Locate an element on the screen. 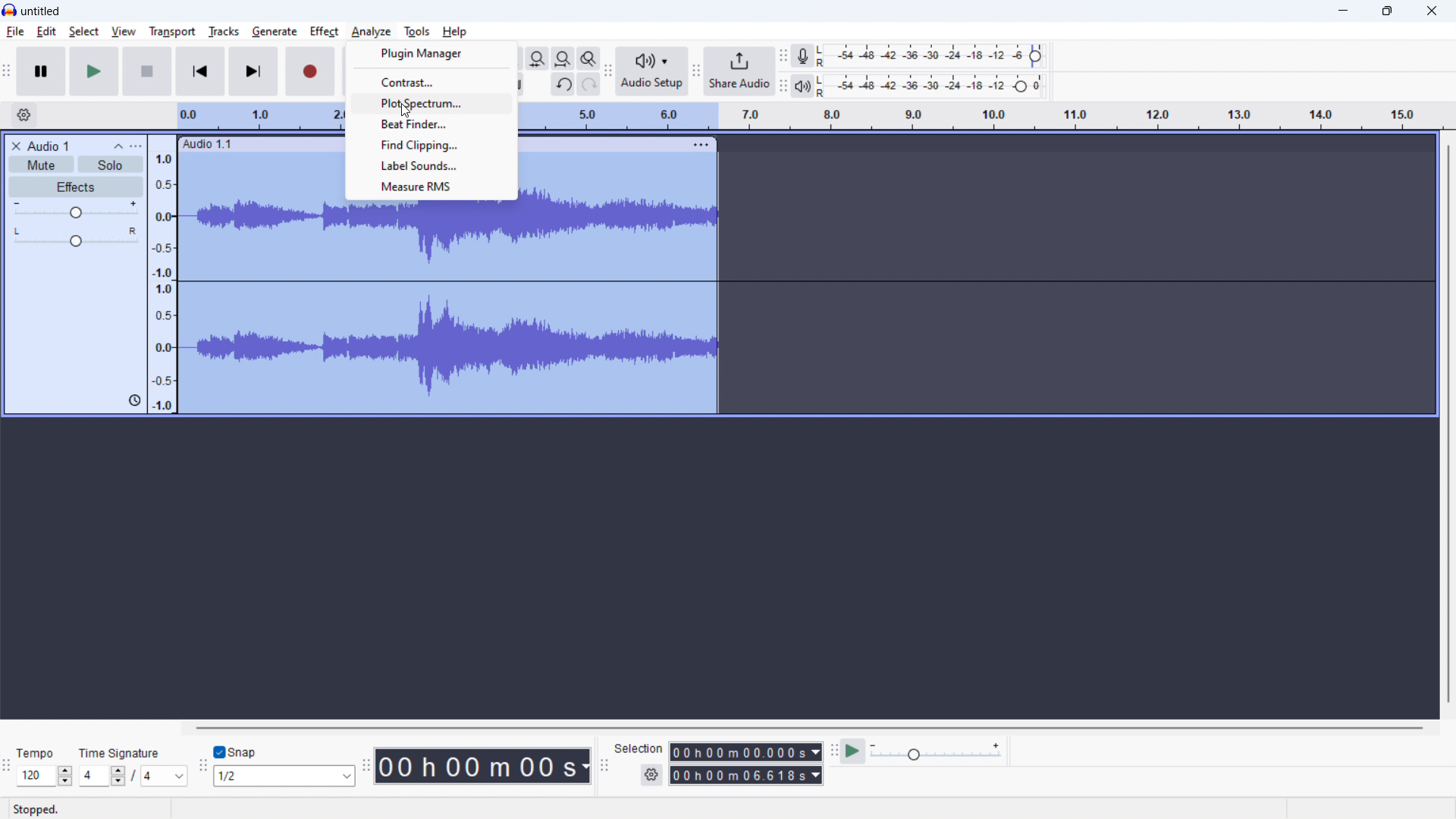 The height and width of the screenshot is (819, 1456). track options is located at coordinates (704, 146).